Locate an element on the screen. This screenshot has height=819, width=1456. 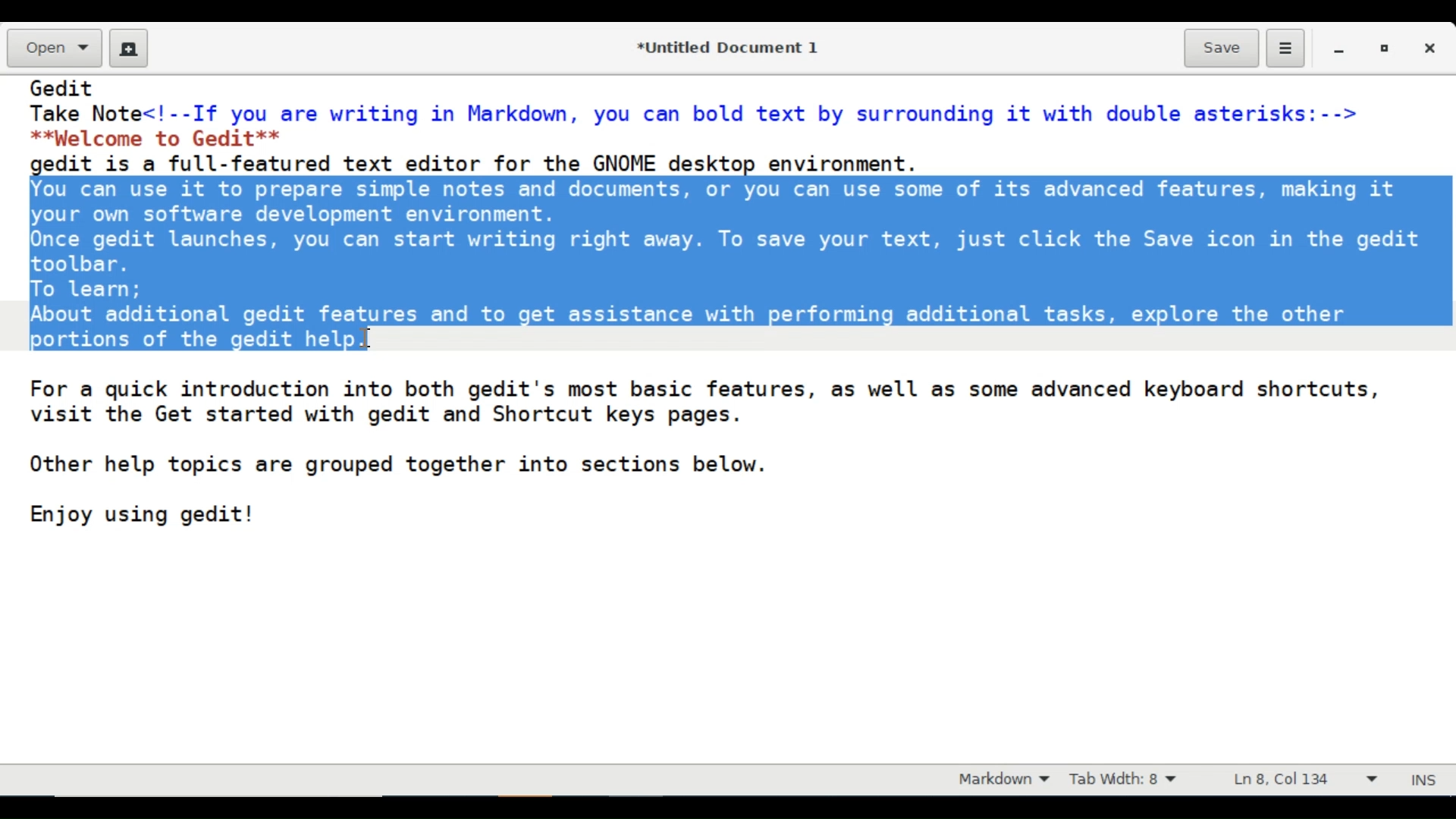
Line & Column Preference is located at coordinates (1305, 783).